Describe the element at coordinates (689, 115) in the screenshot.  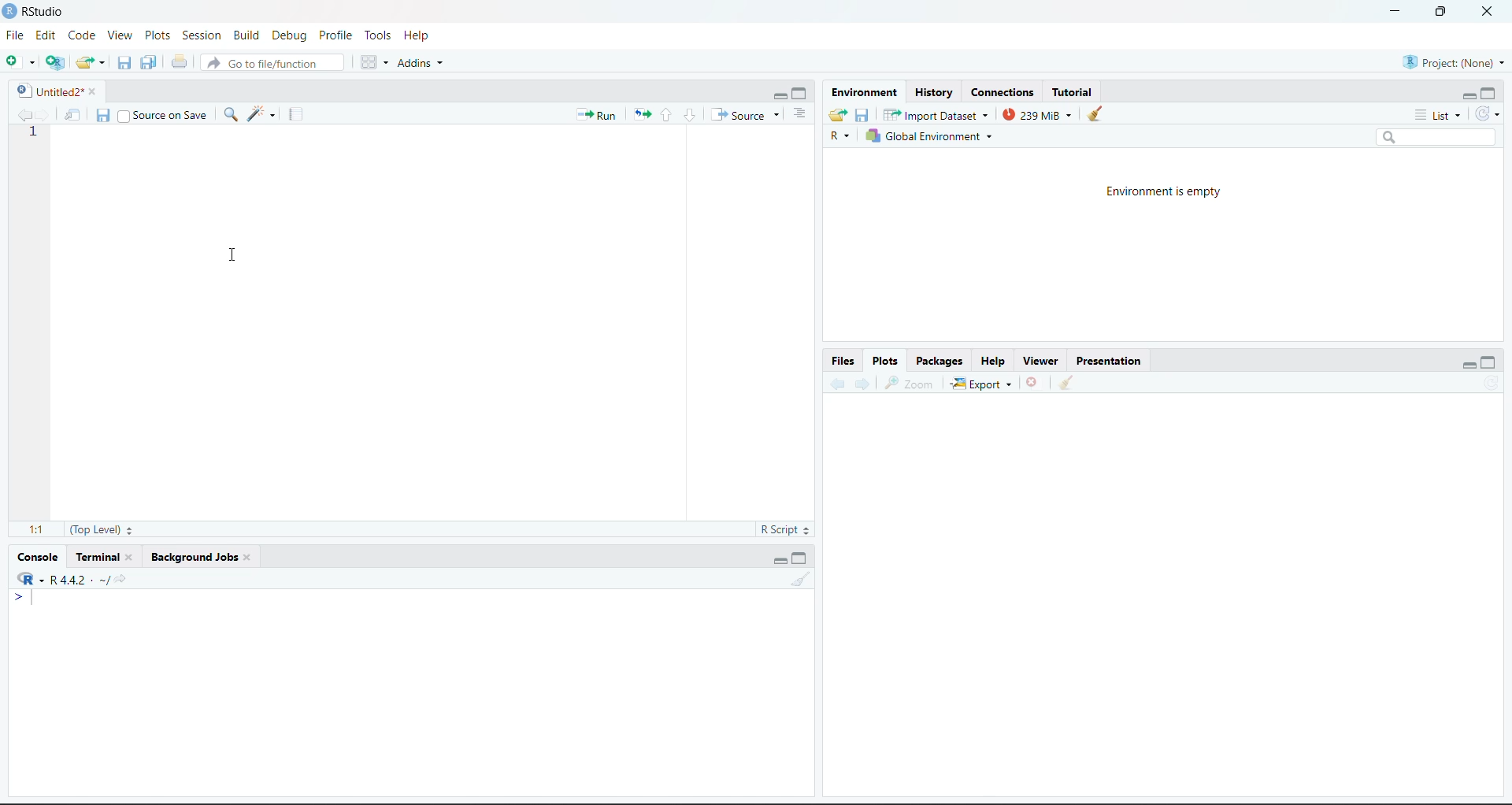
I see `Go to next section/chunk (Ctrl + pgDn)` at that location.